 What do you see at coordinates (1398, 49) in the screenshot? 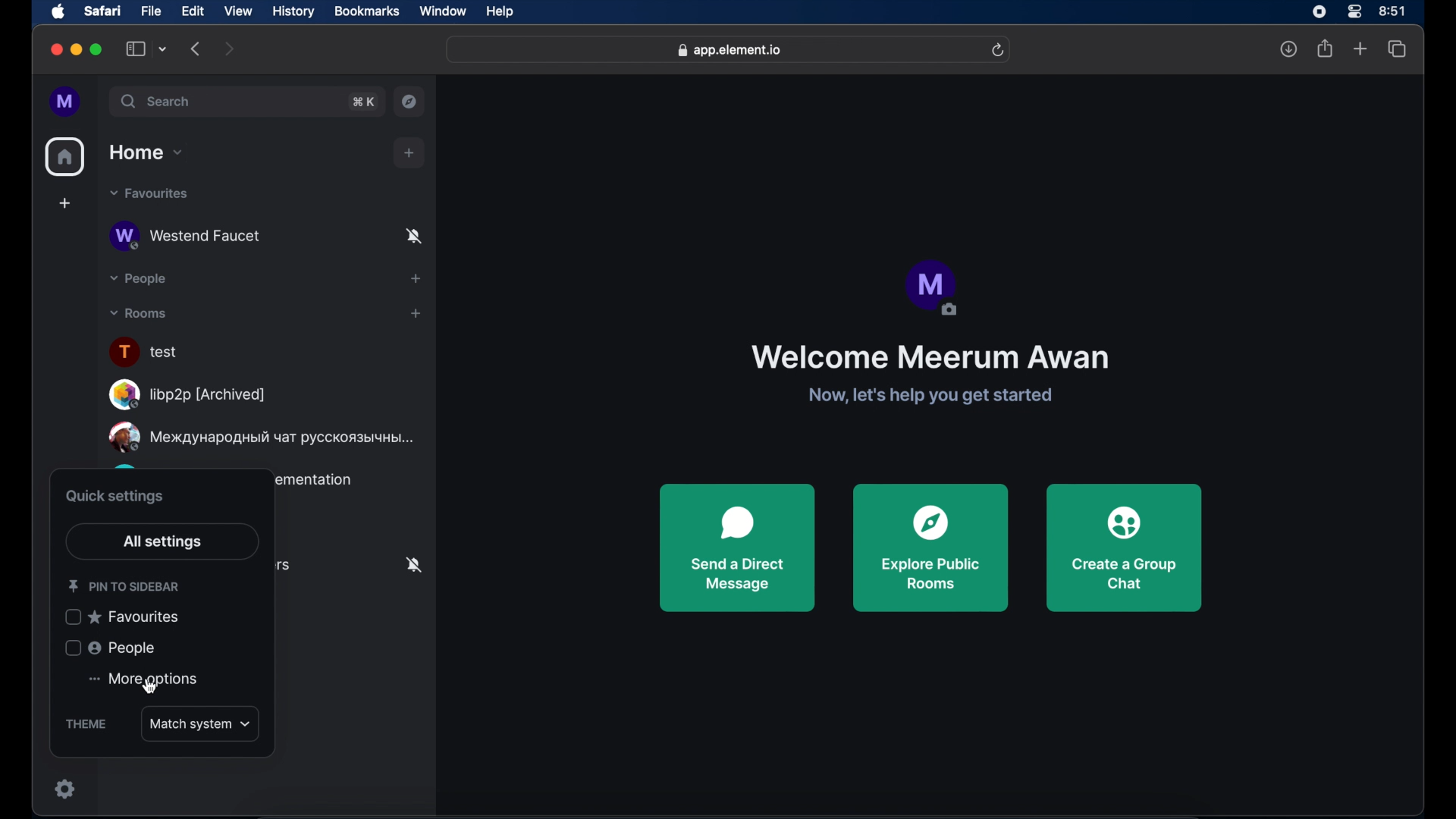
I see `show tab overview` at bounding box center [1398, 49].